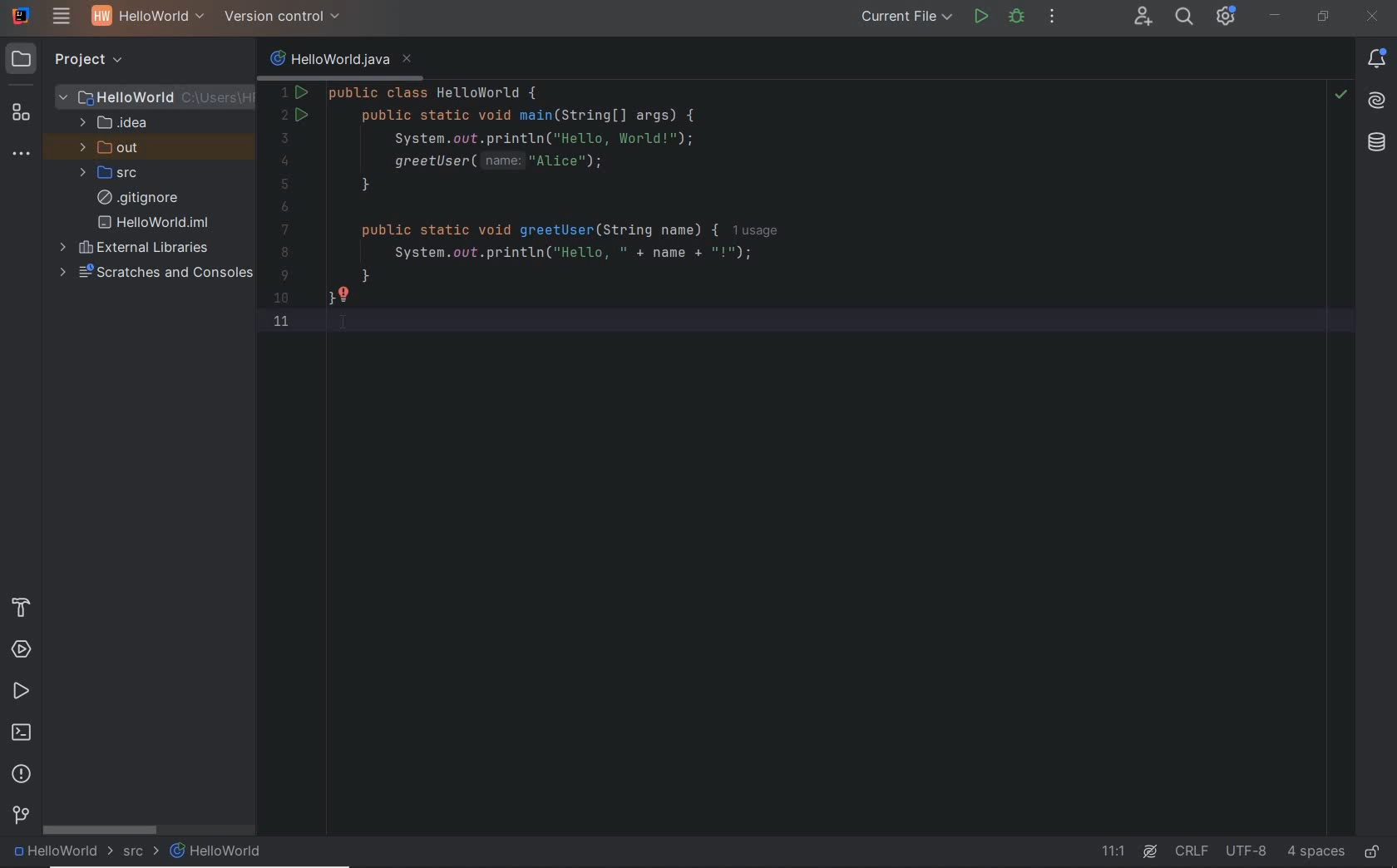 This screenshot has height=868, width=1397. I want to click on debug, so click(1018, 18).